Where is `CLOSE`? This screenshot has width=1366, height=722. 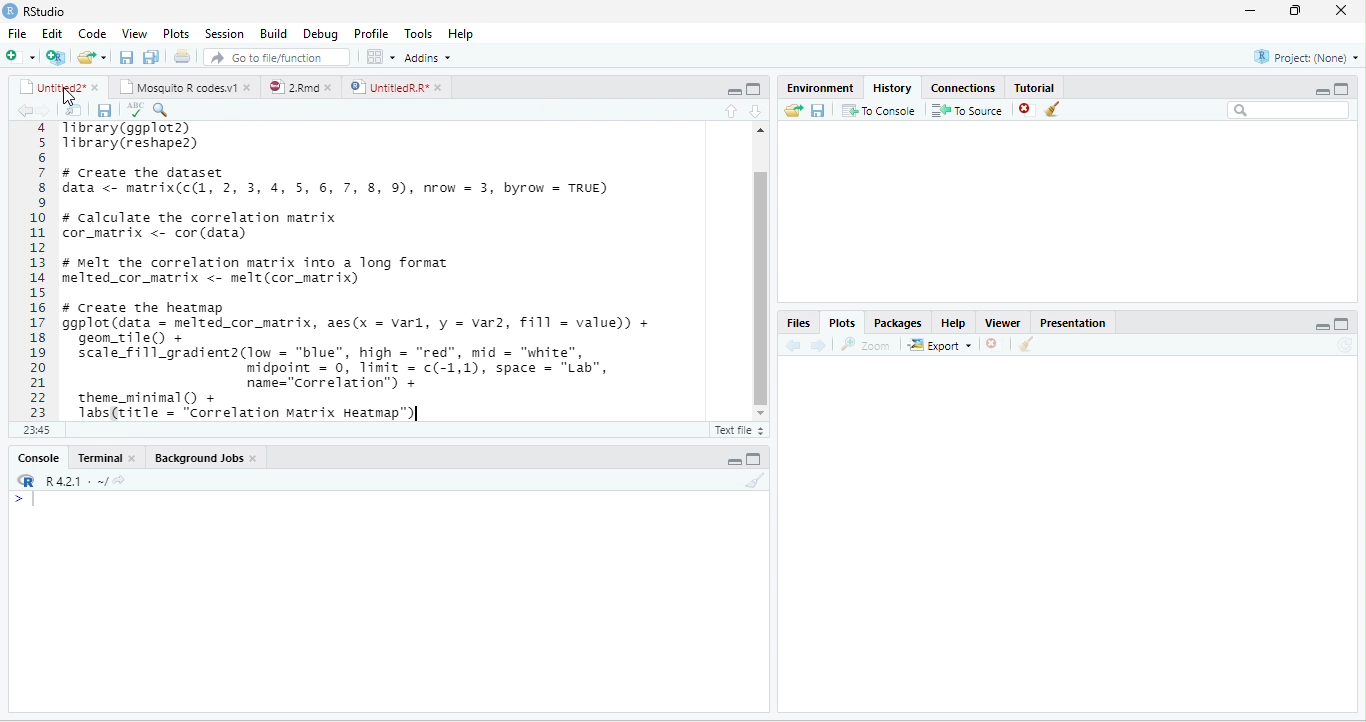
CLOSE is located at coordinates (995, 344).